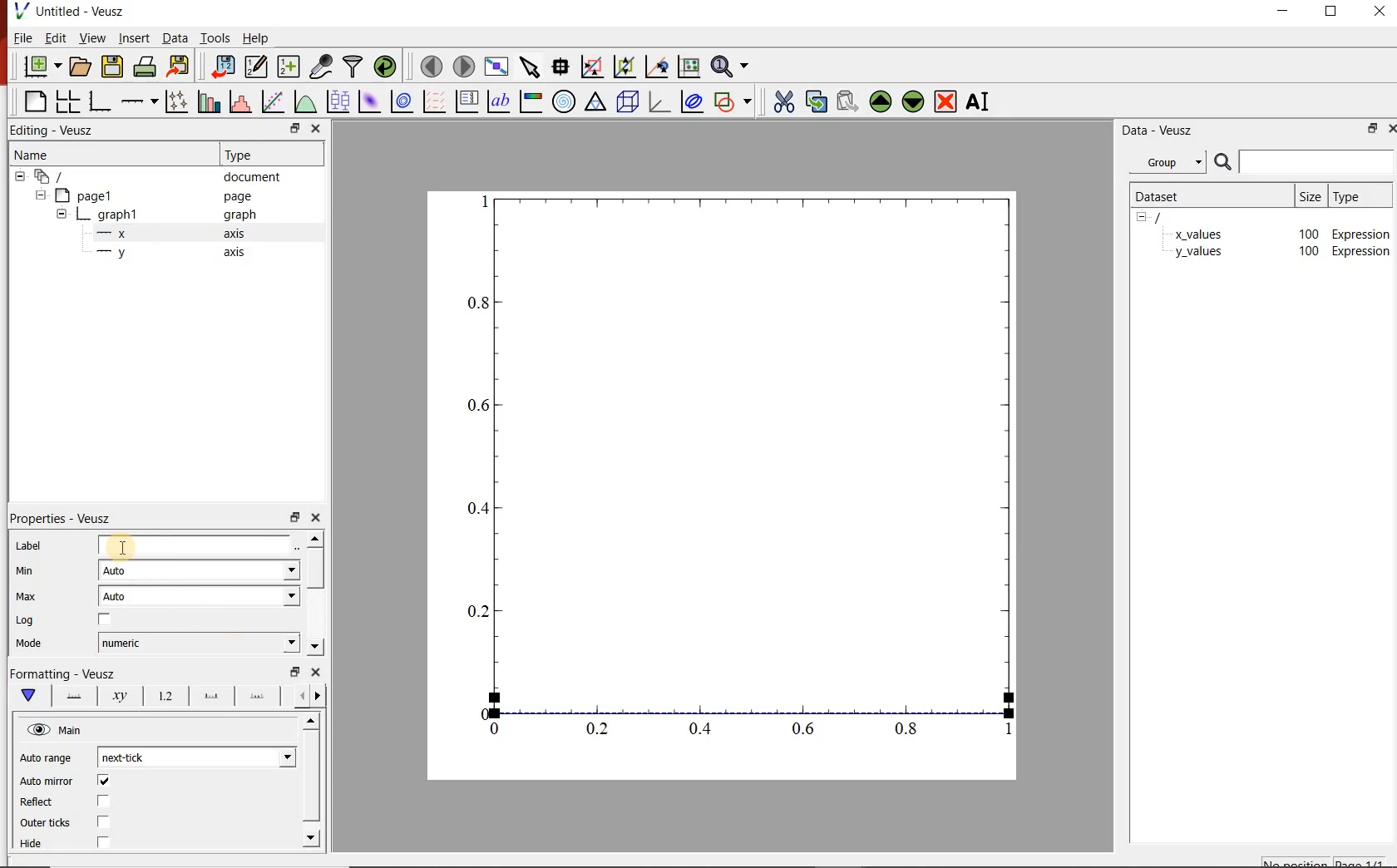 The image size is (1397, 868). What do you see at coordinates (236, 234) in the screenshot?
I see `axis` at bounding box center [236, 234].